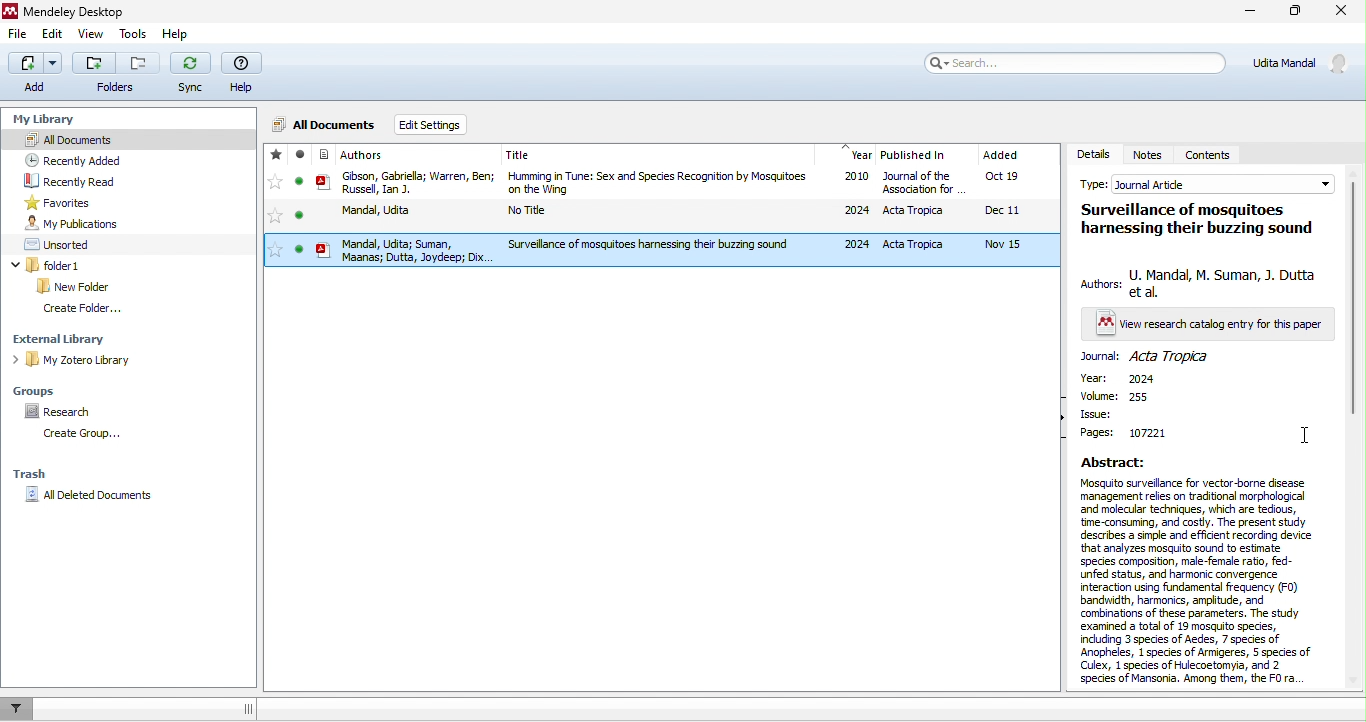 Image resolution: width=1366 pixels, height=722 pixels. Describe the element at coordinates (40, 391) in the screenshot. I see `groups` at that location.